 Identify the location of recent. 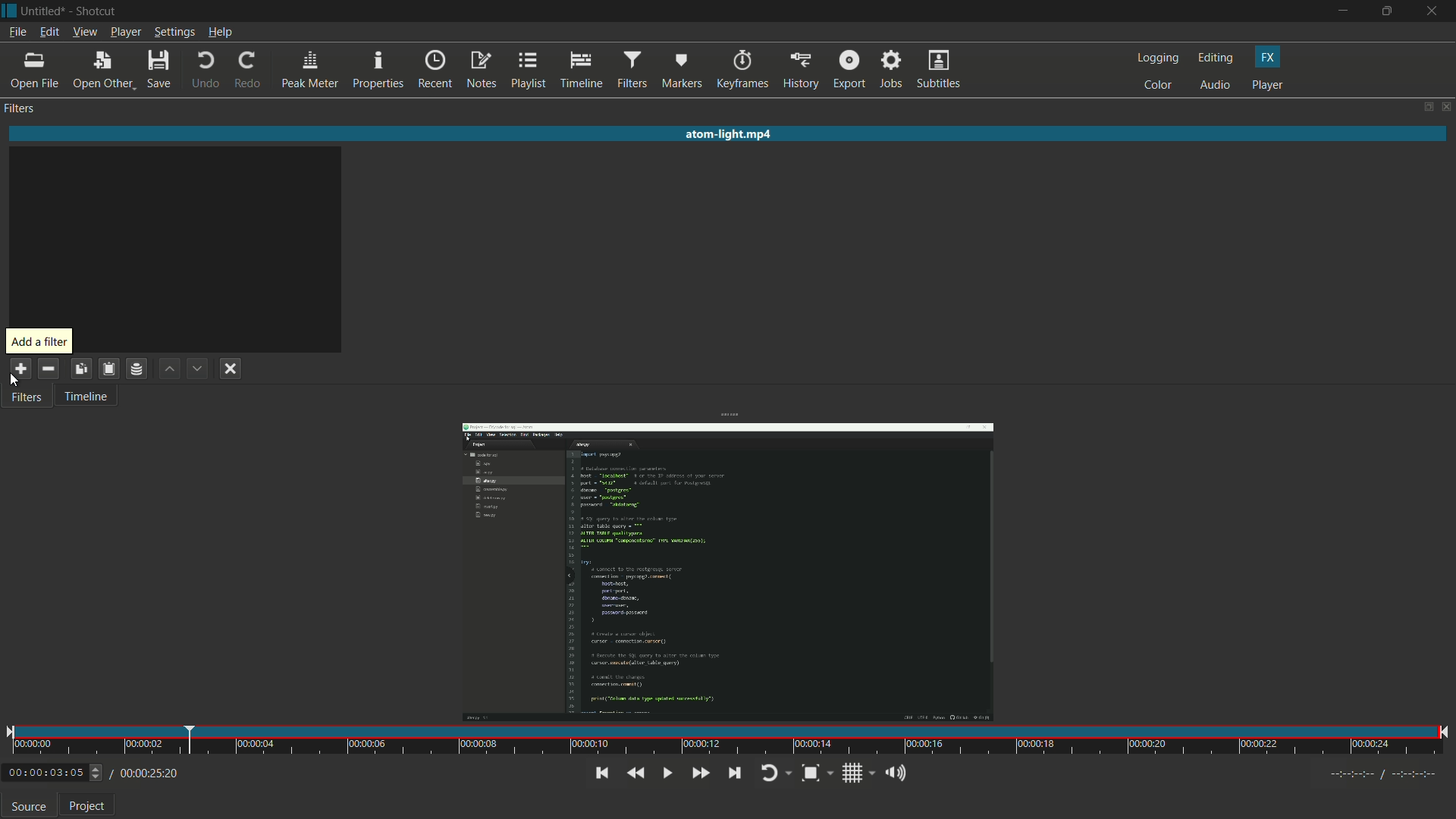
(435, 71).